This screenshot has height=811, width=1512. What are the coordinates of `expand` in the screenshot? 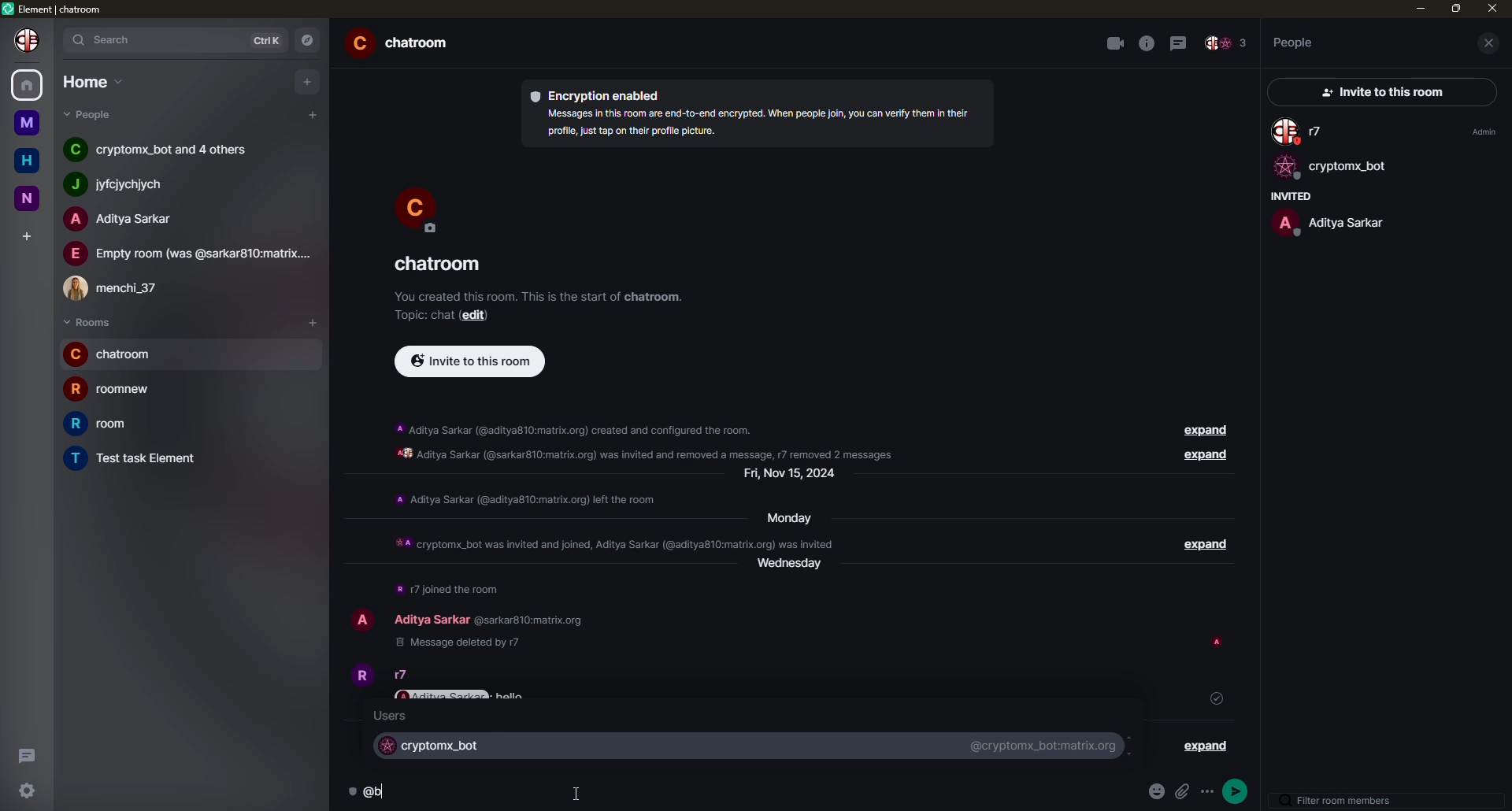 It's located at (1198, 431).